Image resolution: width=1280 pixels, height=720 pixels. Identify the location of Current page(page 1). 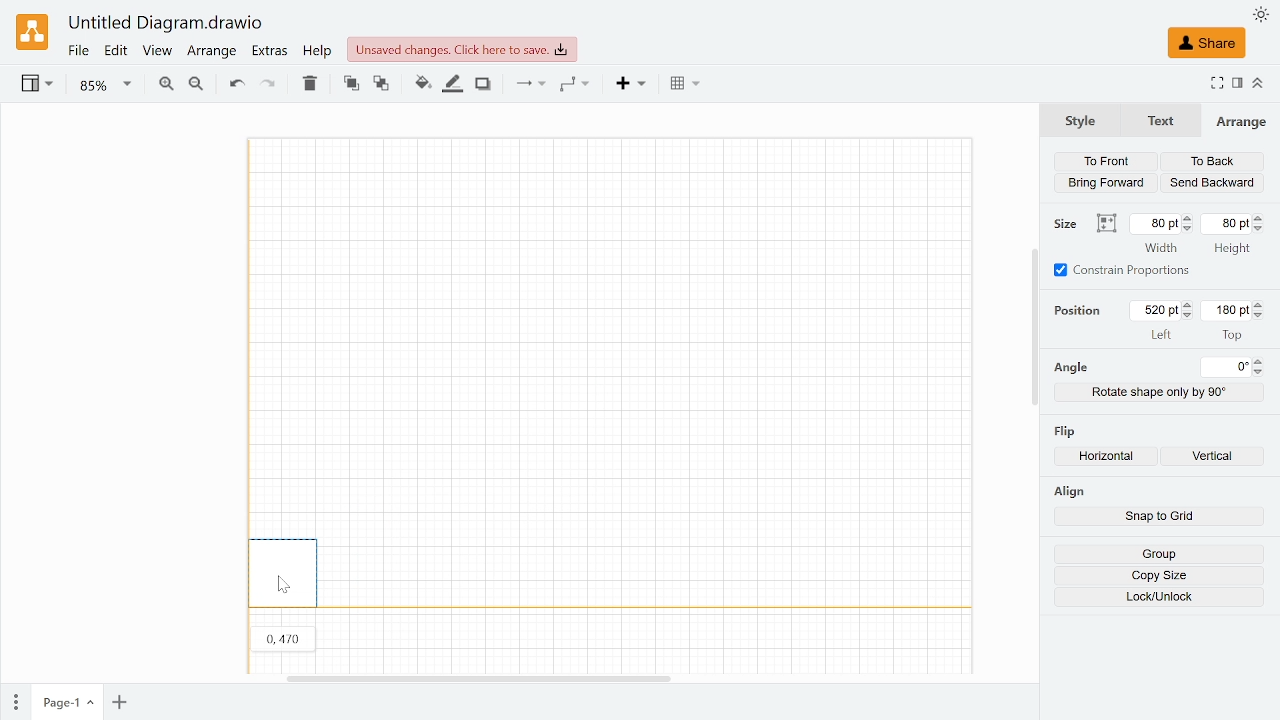
(65, 702).